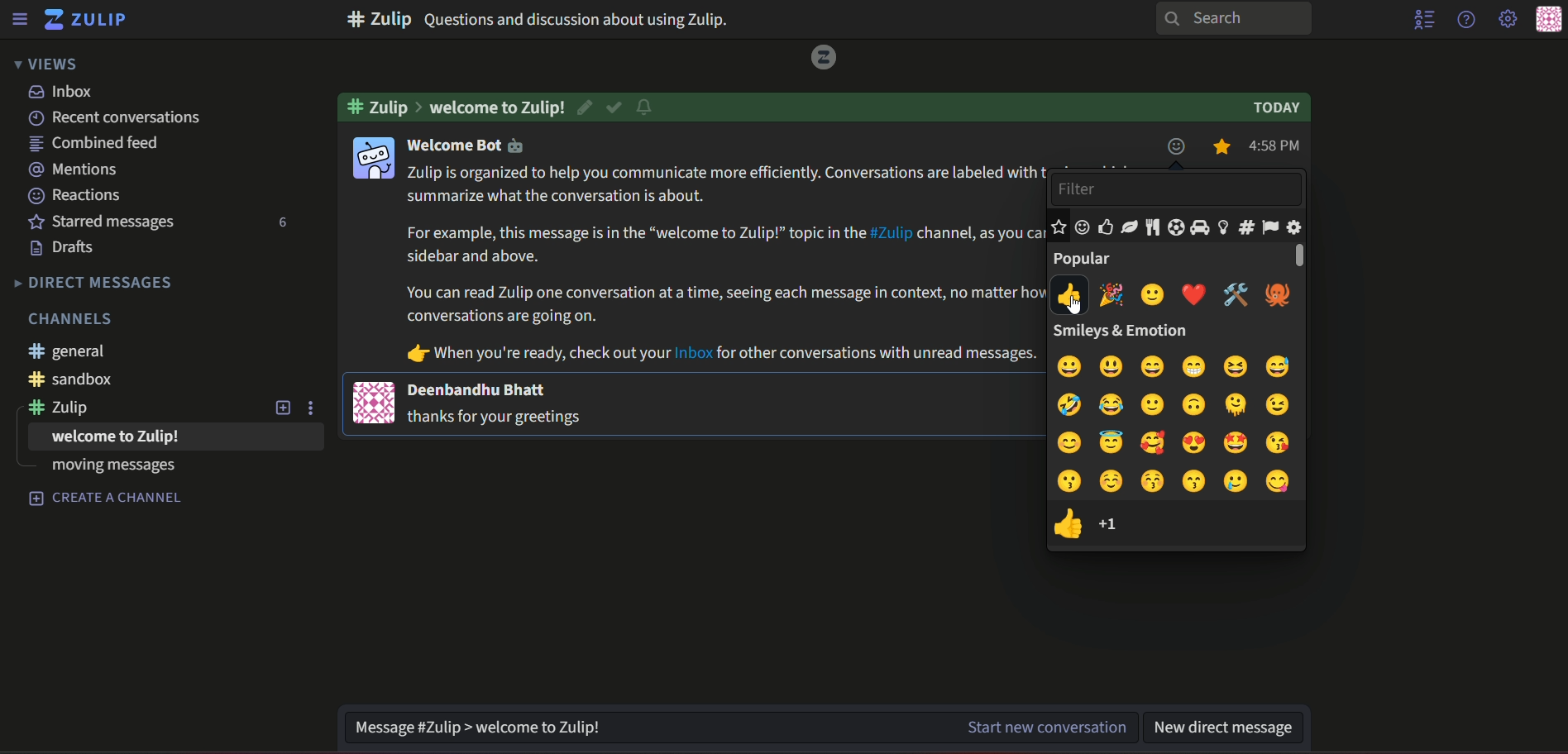 This screenshot has width=1568, height=754. What do you see at coordinates (1425, 21) in the screenshot?
I see `user list` at bounding box center [1425, 21].